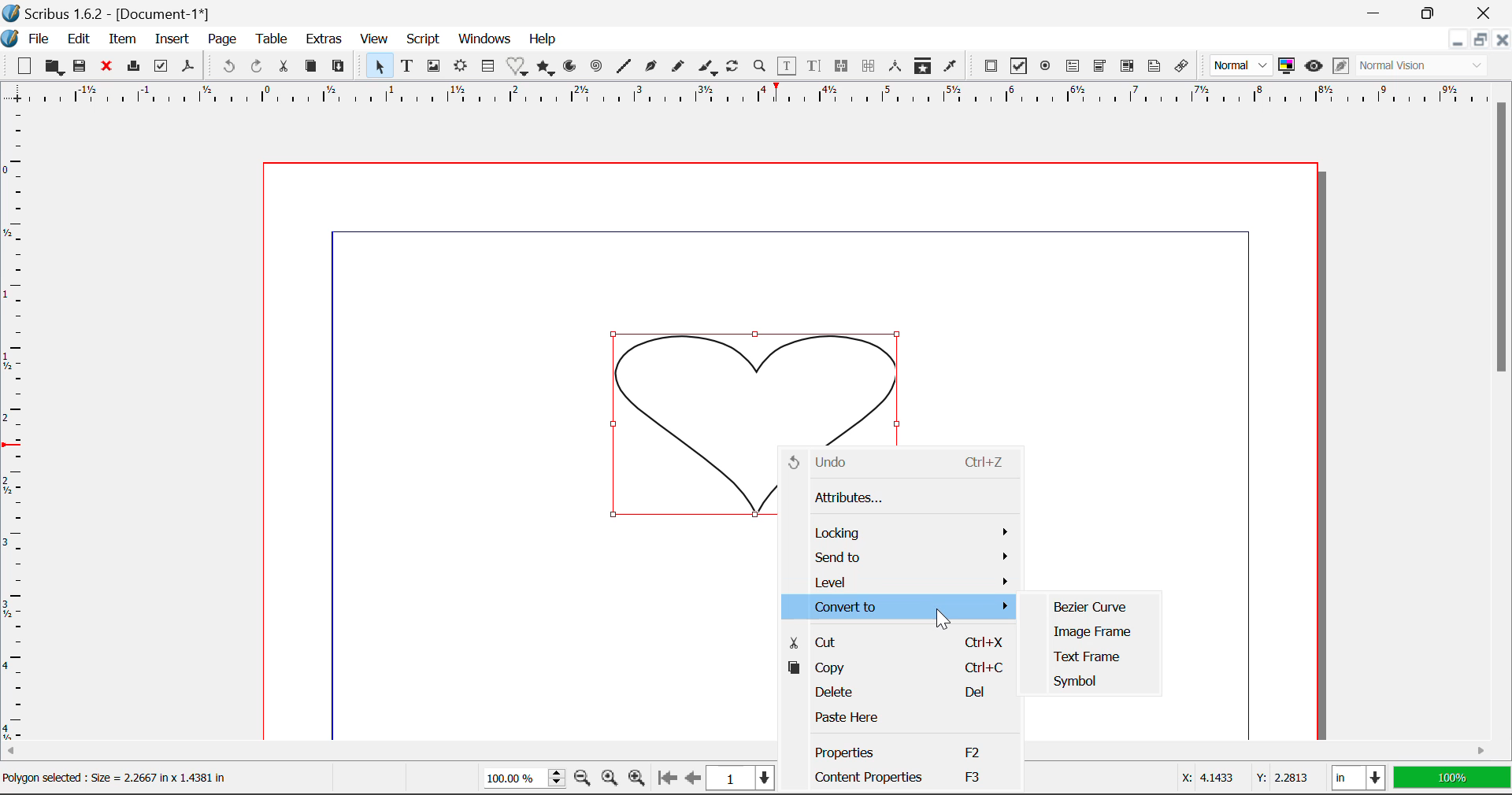 The image size is (1512, 795). What do you see at coordinates (680, 66) in the screenshot?
I see `Freehand Curve` at bounding box center [680, 66].